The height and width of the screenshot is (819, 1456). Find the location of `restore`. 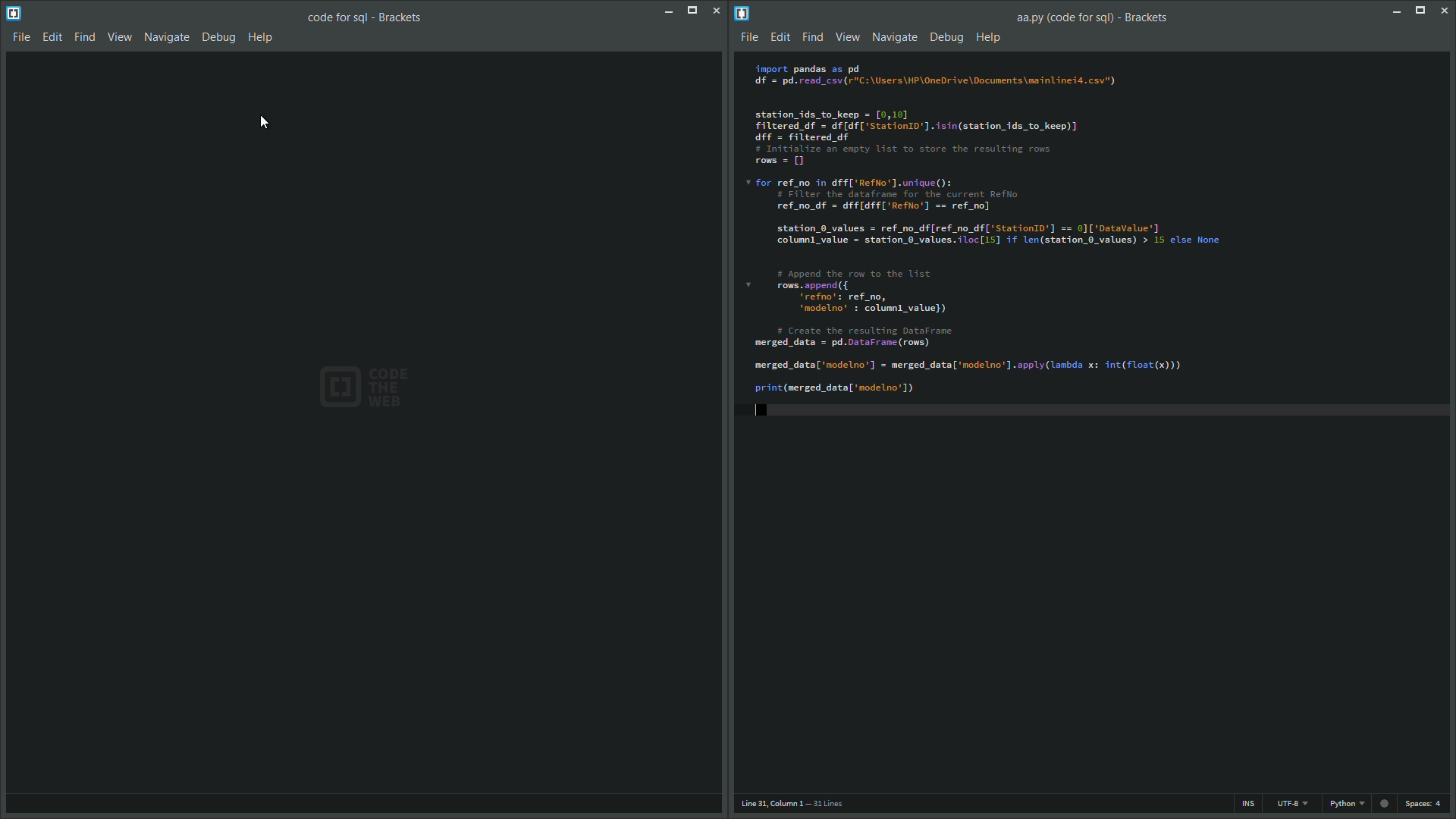

restore is located at coordinates (1420, 11).